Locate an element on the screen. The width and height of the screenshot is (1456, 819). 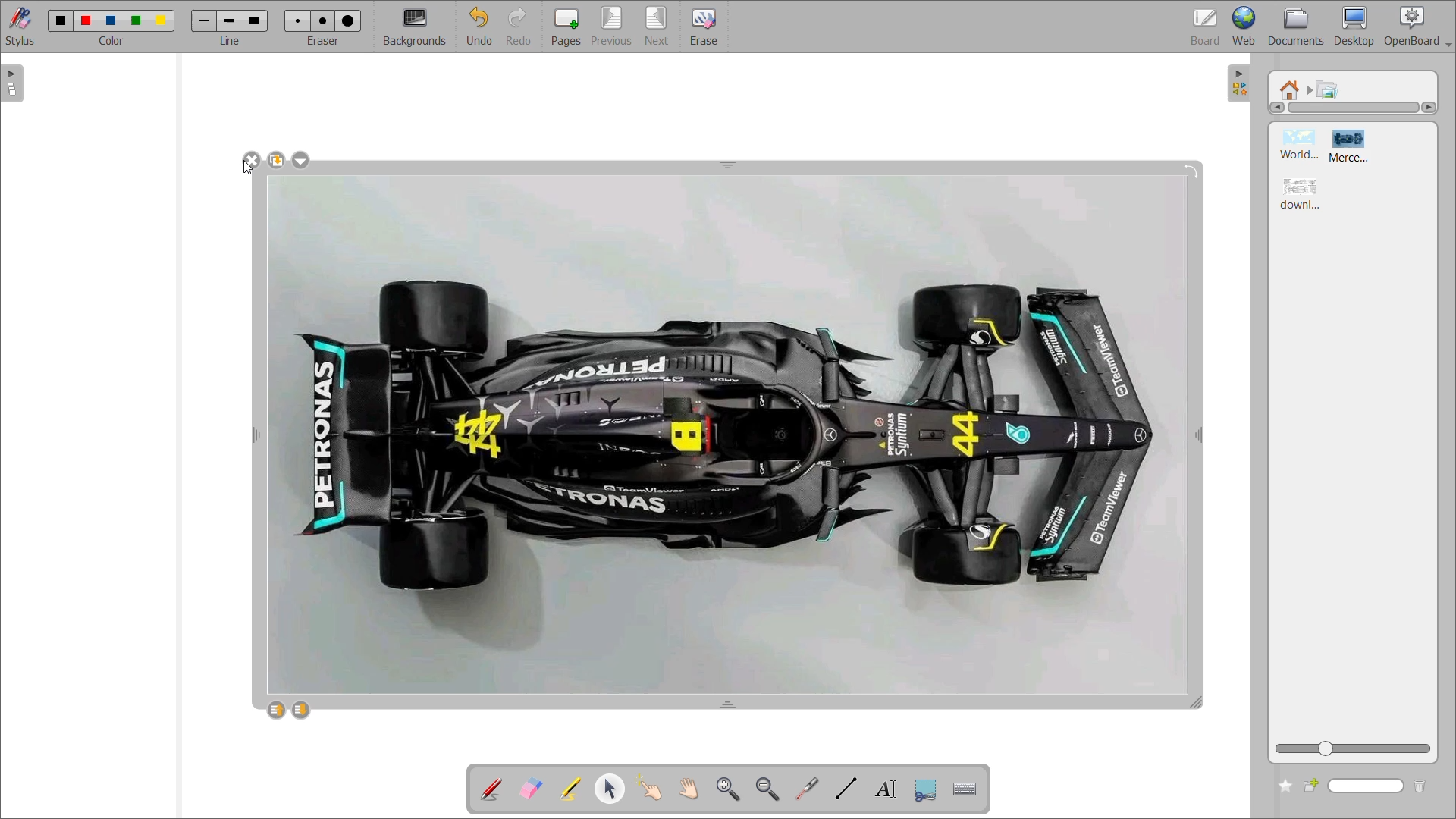
more options is located at coordinates (302, 160).